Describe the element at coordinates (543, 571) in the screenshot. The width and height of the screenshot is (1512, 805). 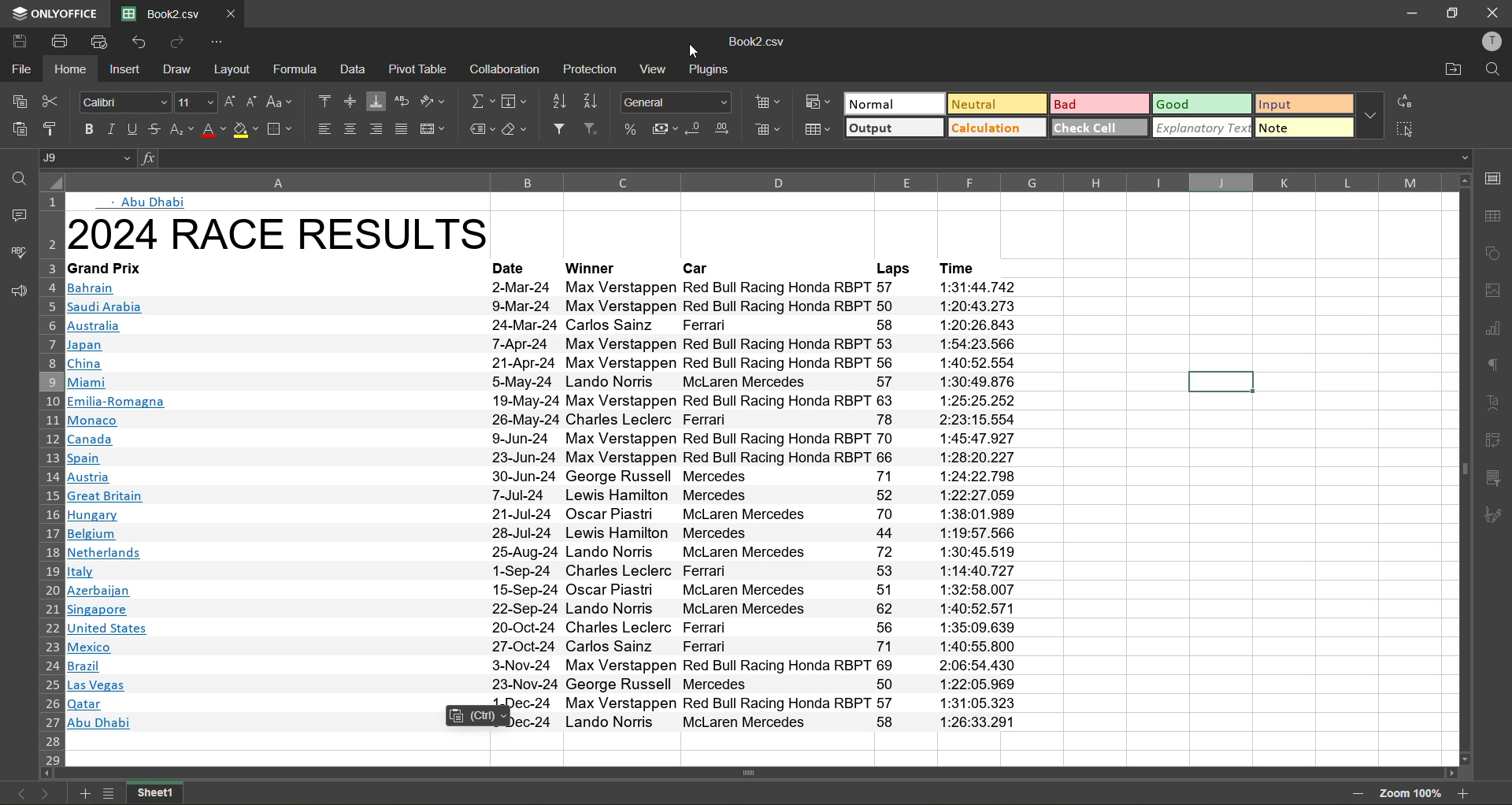
I see `text info` at that location.